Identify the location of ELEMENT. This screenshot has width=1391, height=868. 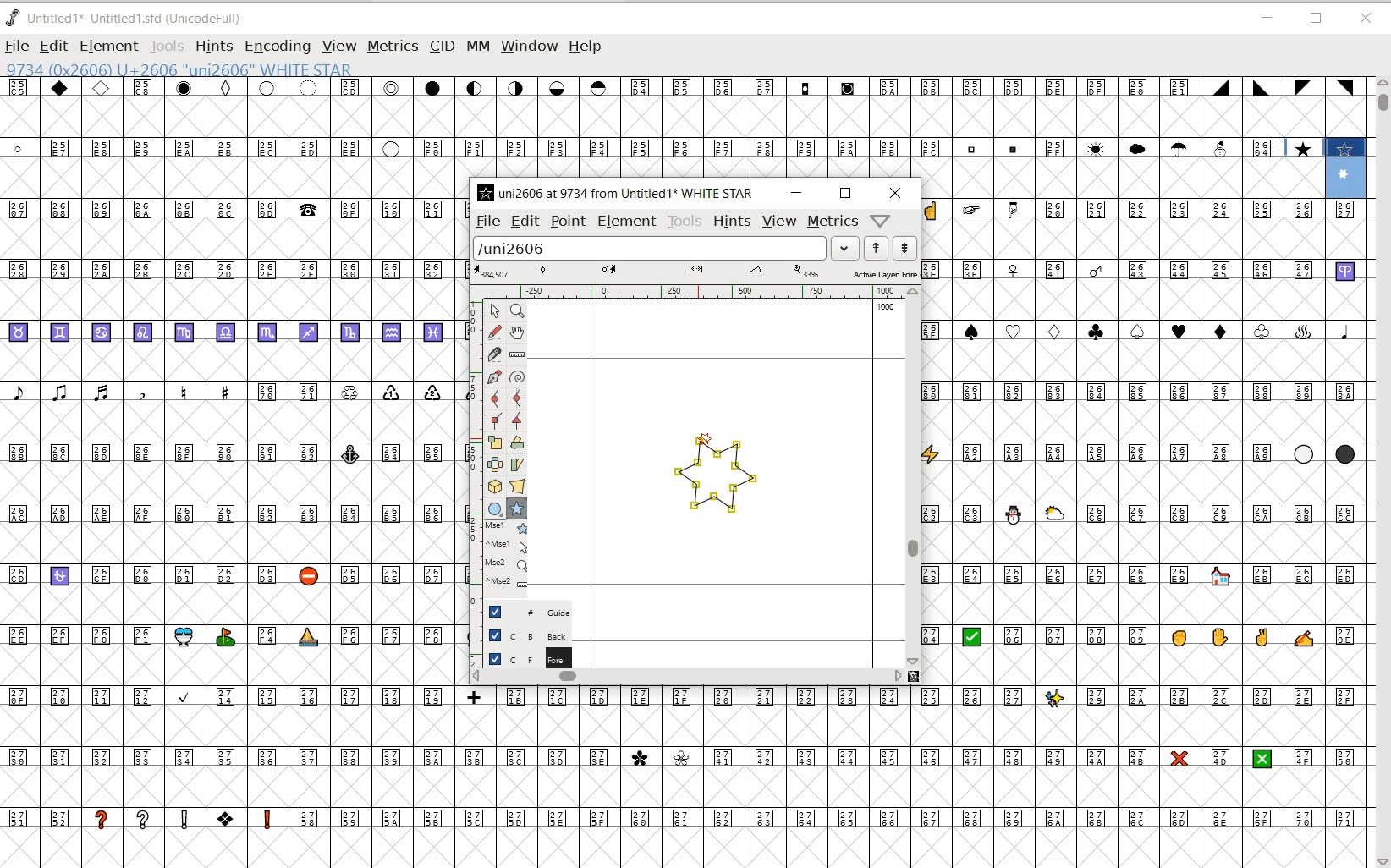
(626, 223).